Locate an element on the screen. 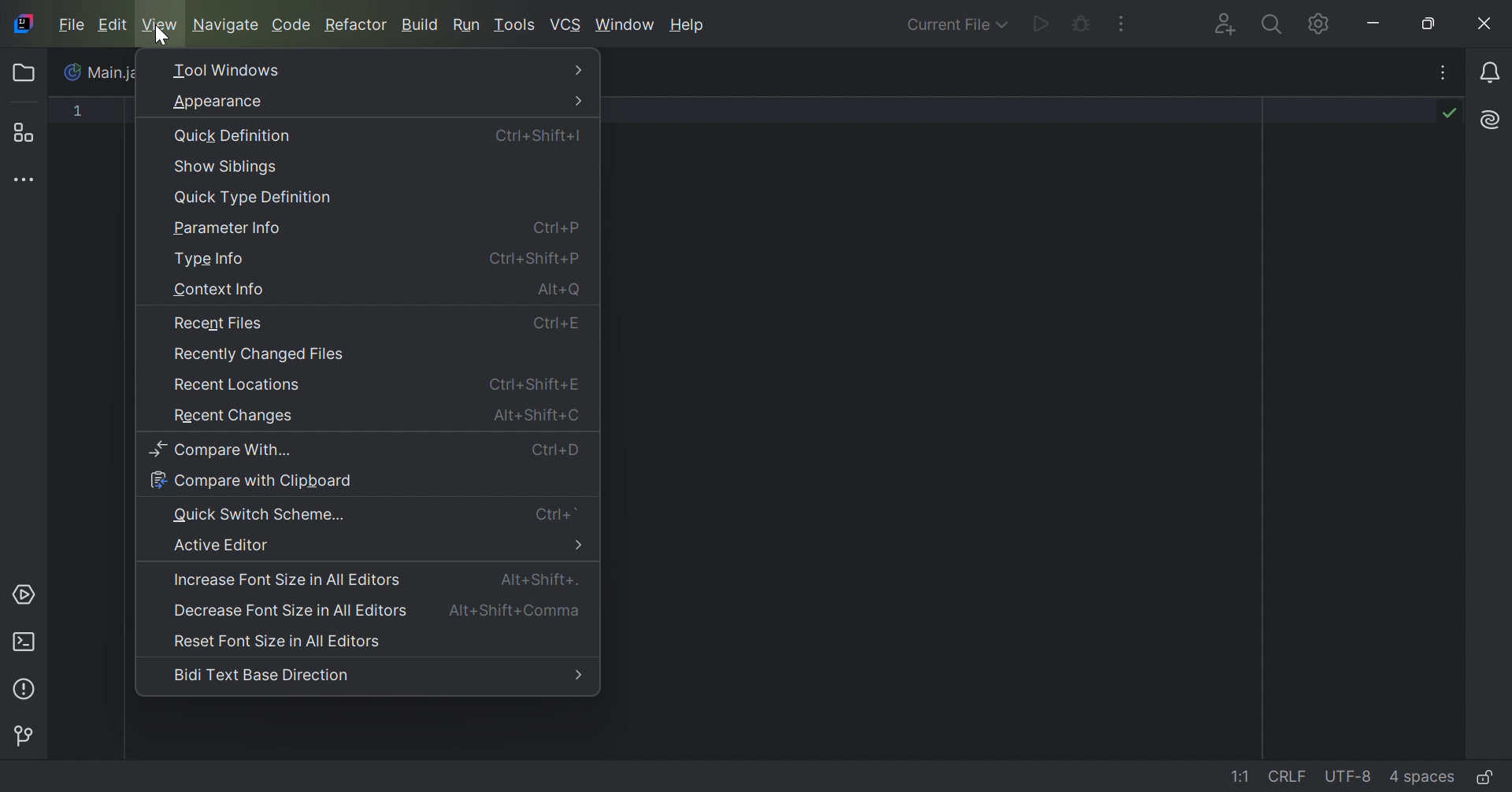 Image resolution: width=1512 pixels, height=792 pixels. UTF-8 is located at coordinates (1349, 778).